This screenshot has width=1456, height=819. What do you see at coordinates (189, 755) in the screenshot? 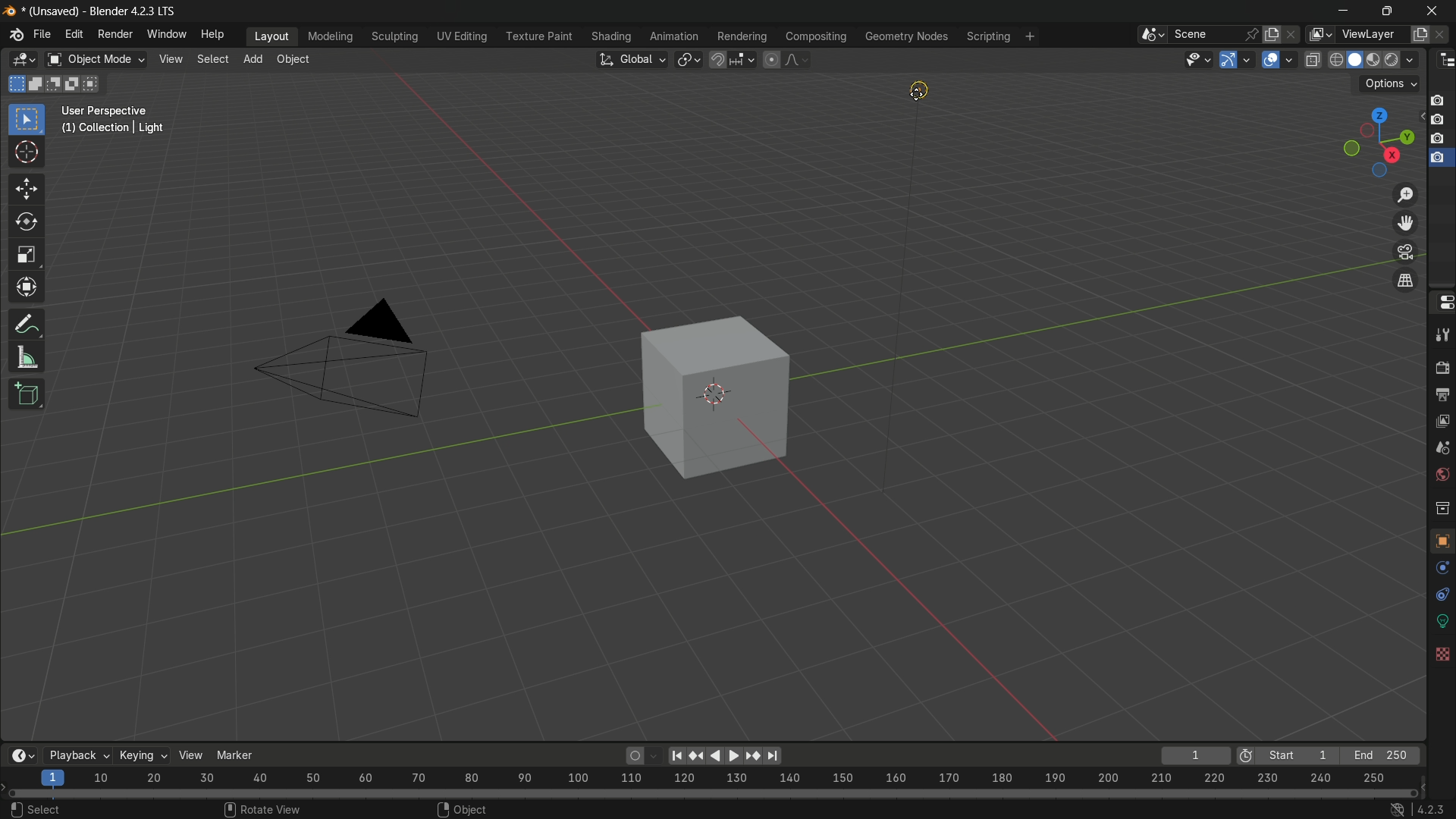
I see `view` at bounding box center [189, 755].